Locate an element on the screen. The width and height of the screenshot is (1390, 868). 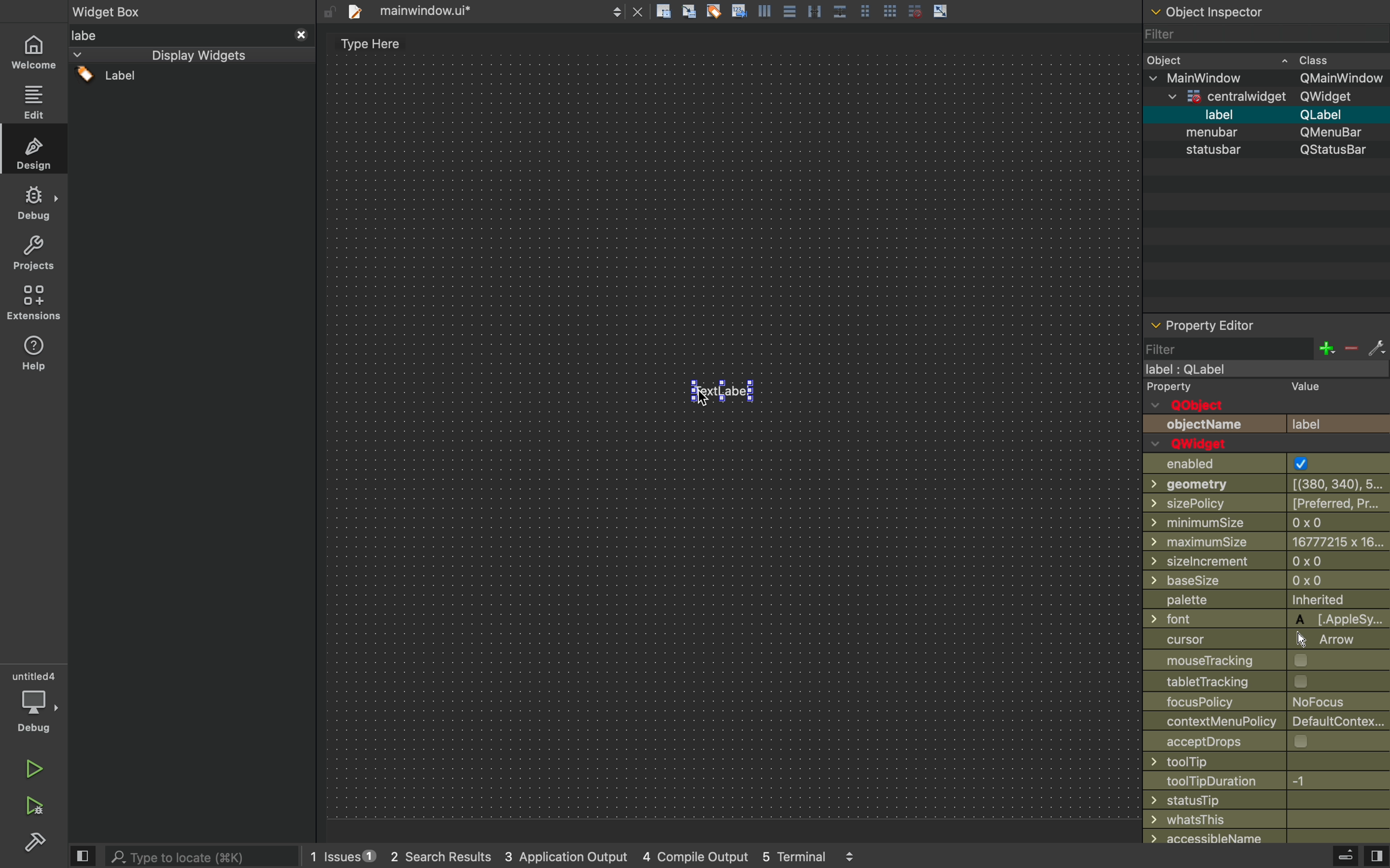
design is located at coordinates (33, 149).